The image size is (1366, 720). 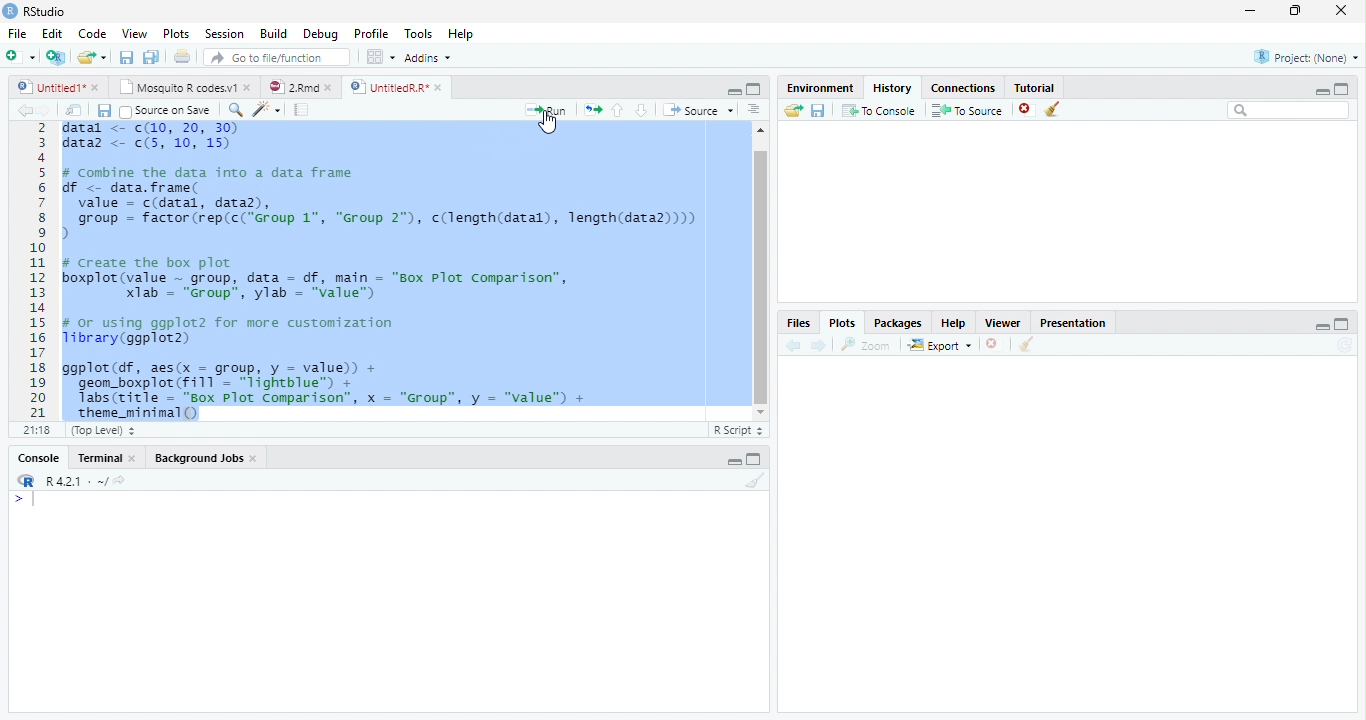 I want to click on Background Jobs, so click(x=199, y=457).